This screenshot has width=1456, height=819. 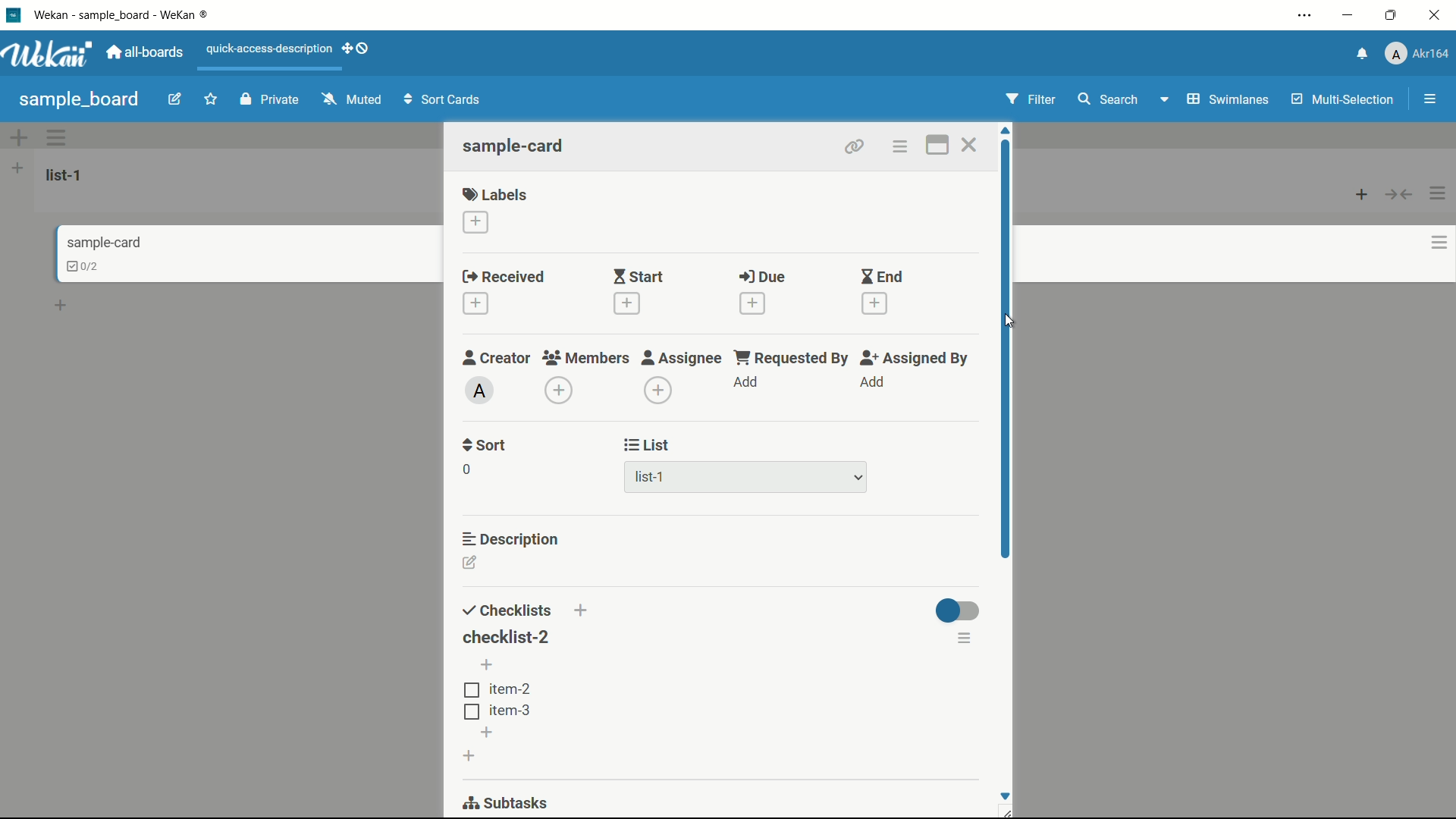 I want to click on sort cards, so click(x=444, y=100).